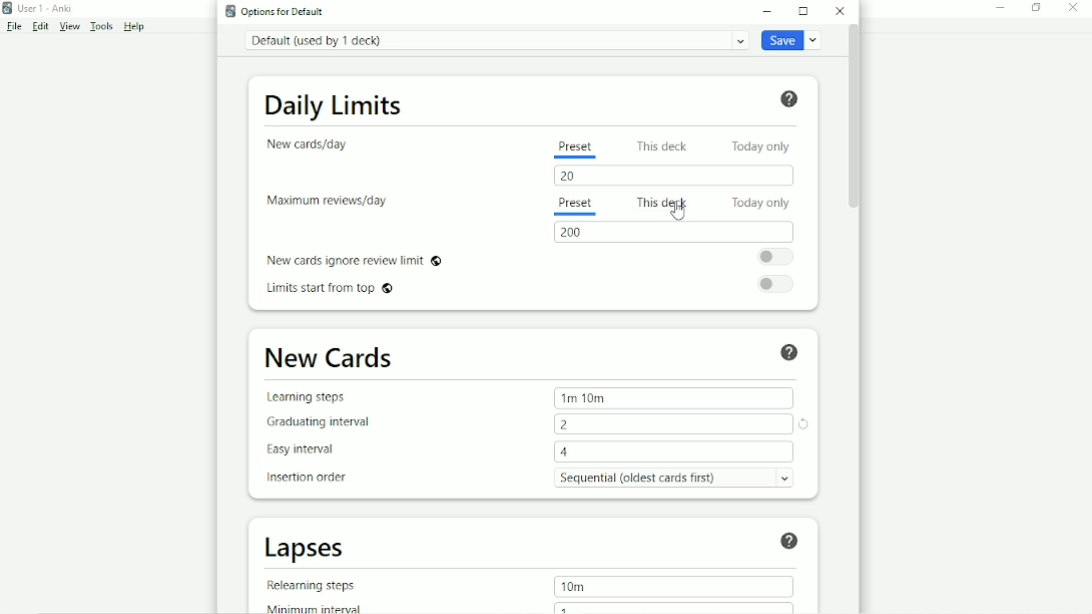 The image size is (1092, 614). Describe the element at coordinates (806, 425) in the screenshot. I see `Restore this setting to its default value` at that location.